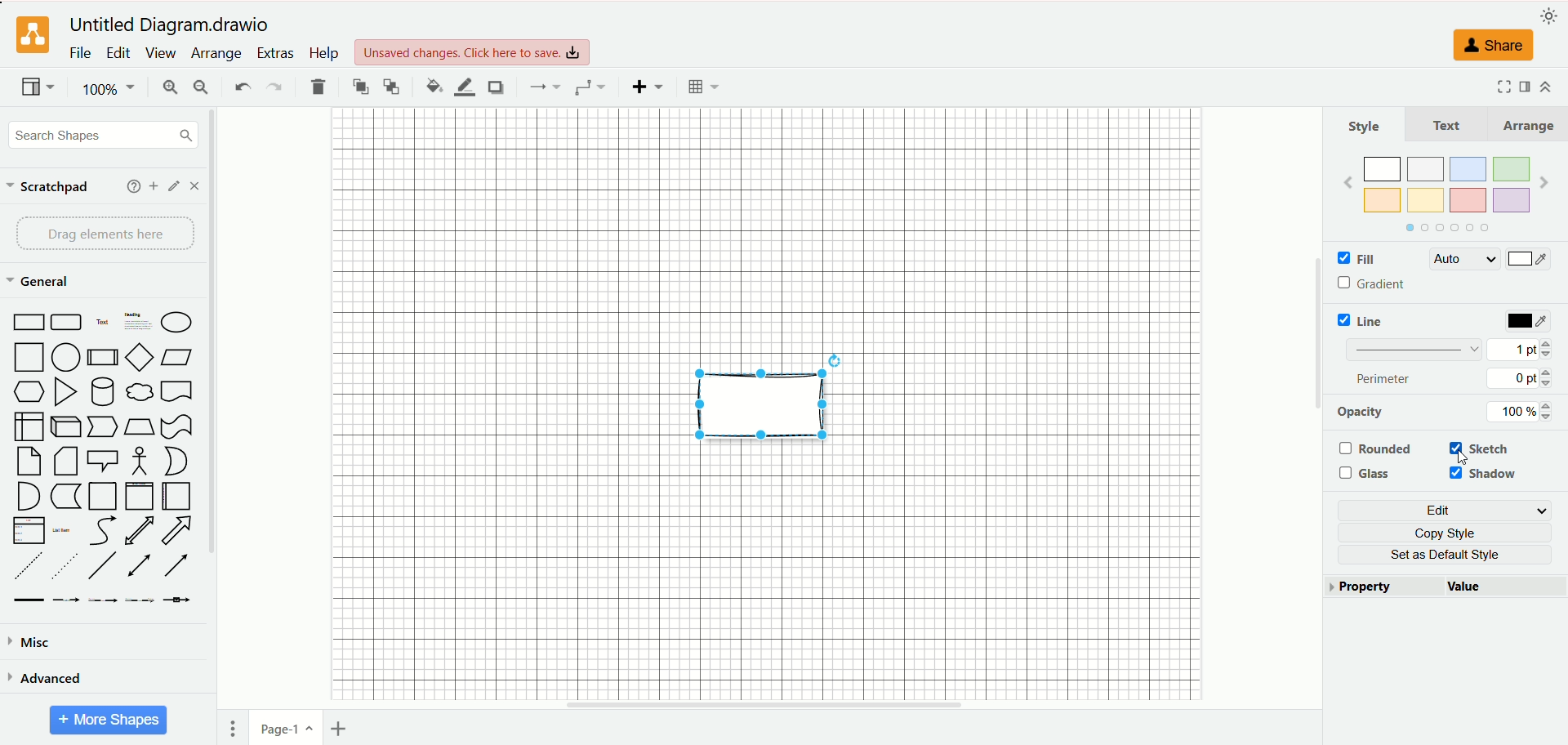  Describe the element at coordinates (134, 186) in the screenshot. I see `help` at that location.